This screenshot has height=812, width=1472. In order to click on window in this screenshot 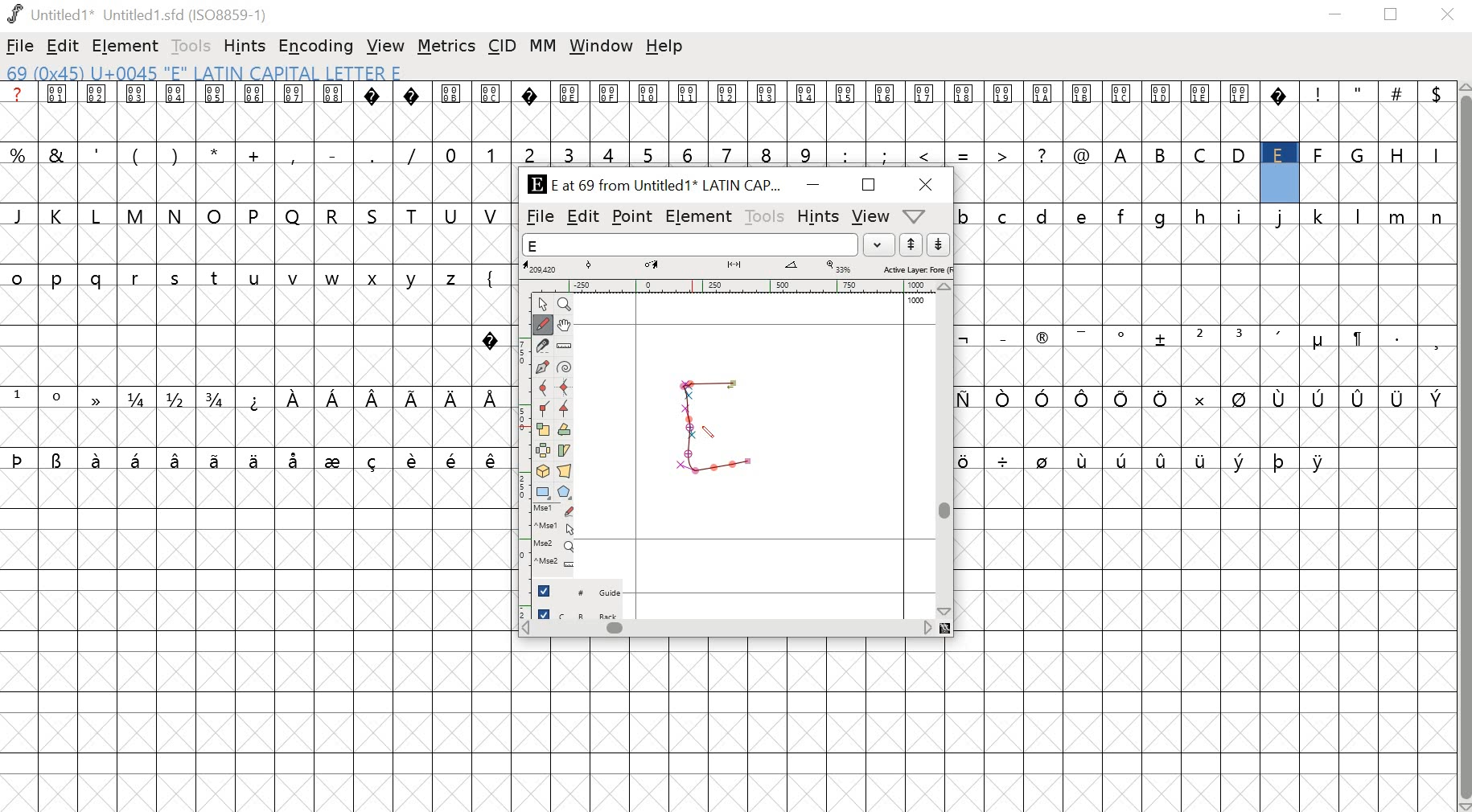, I will do `click(599, 45)`.